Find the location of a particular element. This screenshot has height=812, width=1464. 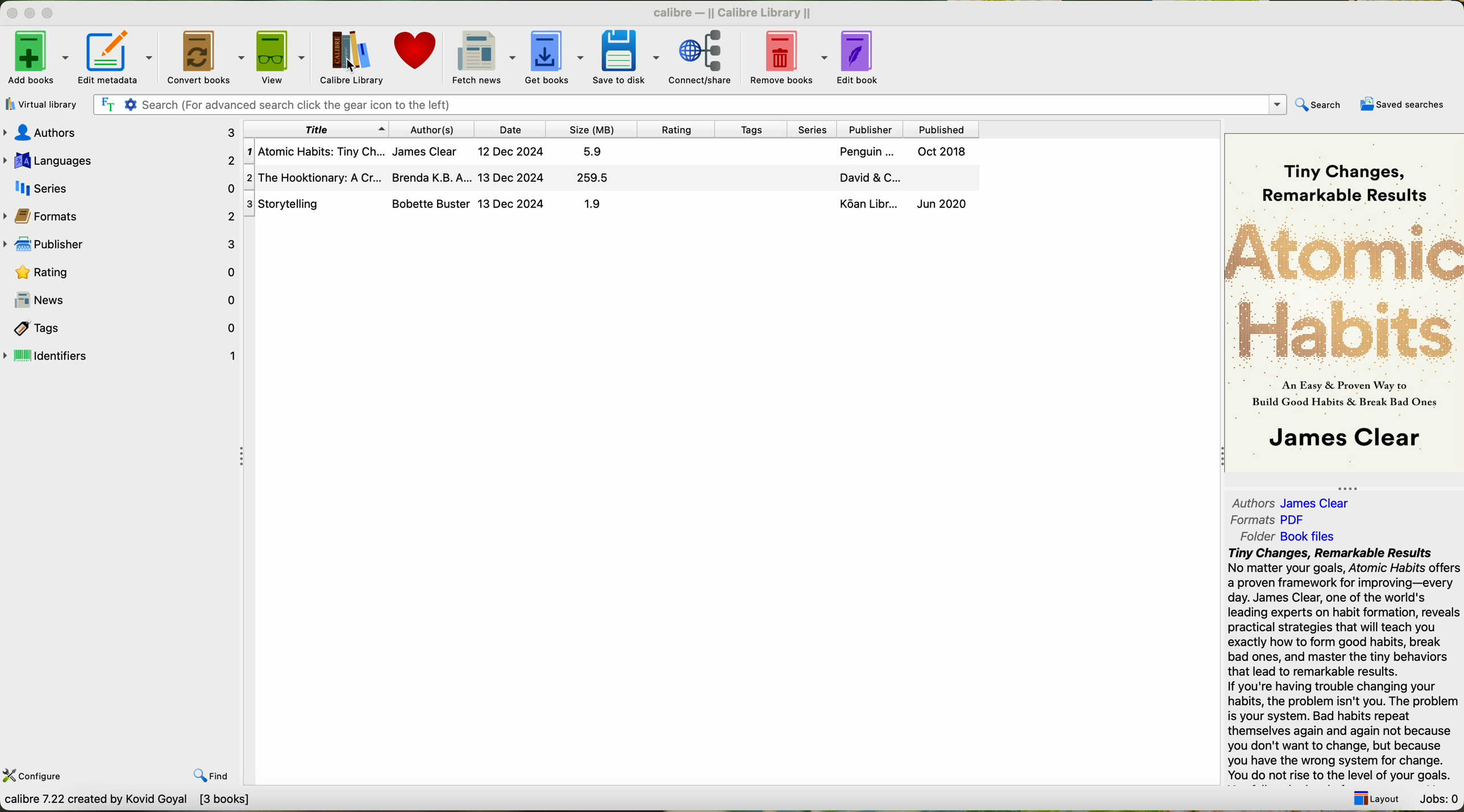

Minimize is located at coordinates (13, 14).